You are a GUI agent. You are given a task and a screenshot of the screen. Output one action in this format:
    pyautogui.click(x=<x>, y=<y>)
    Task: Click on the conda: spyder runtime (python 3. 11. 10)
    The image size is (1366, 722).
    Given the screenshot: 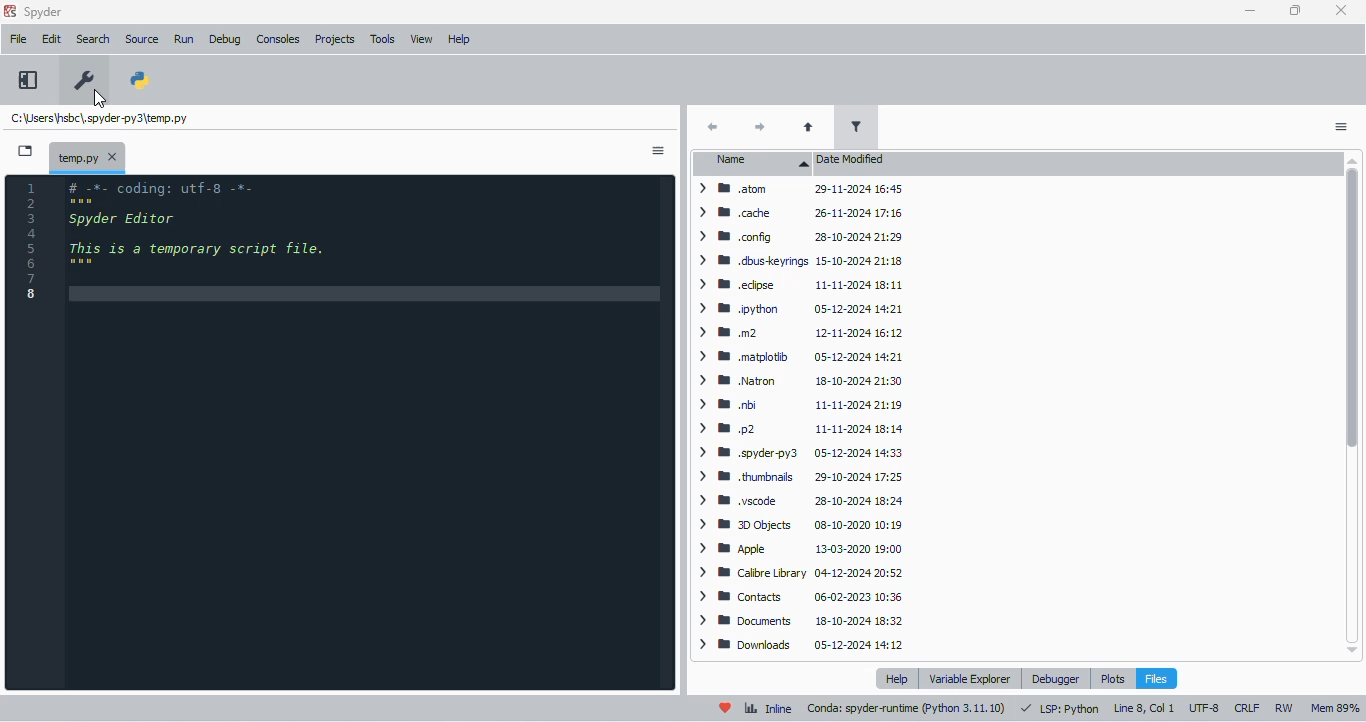 What is the action you would take?
    pyautogui.click(x=908, y=708)
    